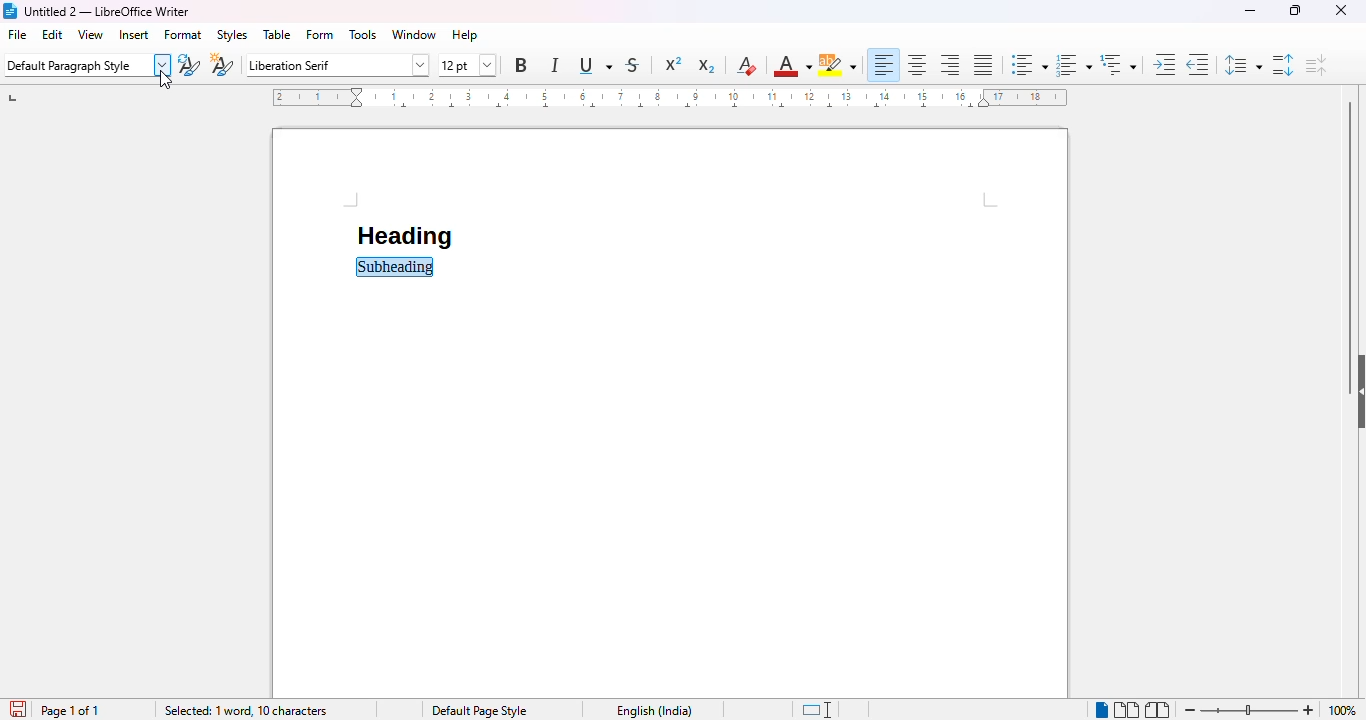 The image size is (1366, 720). Describe the element at coordinates (837, 65) in the screenshot. I see `character highlighting color` at that location.